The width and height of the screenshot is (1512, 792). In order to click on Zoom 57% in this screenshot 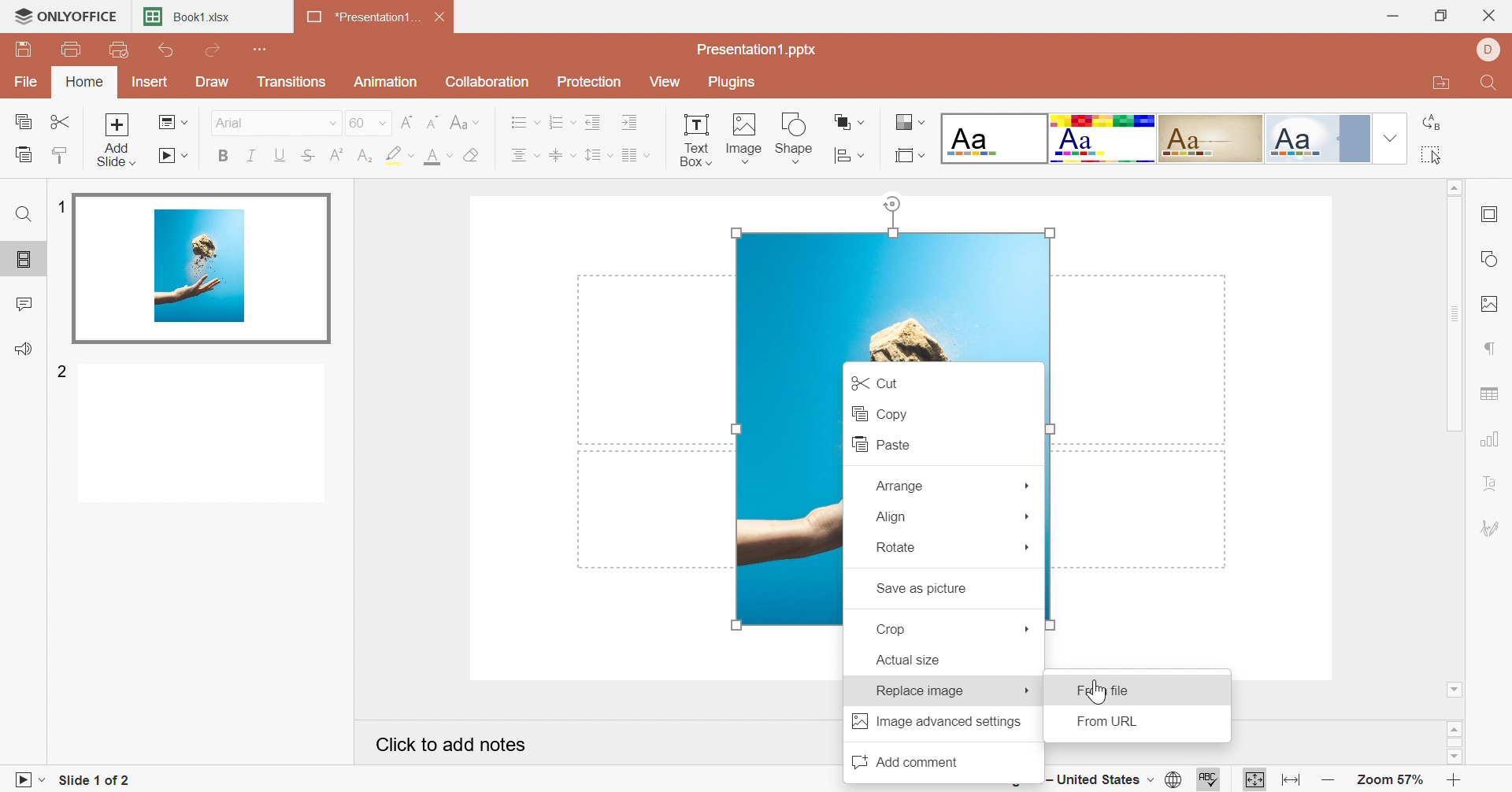, I will do `click(1389, 780)`.